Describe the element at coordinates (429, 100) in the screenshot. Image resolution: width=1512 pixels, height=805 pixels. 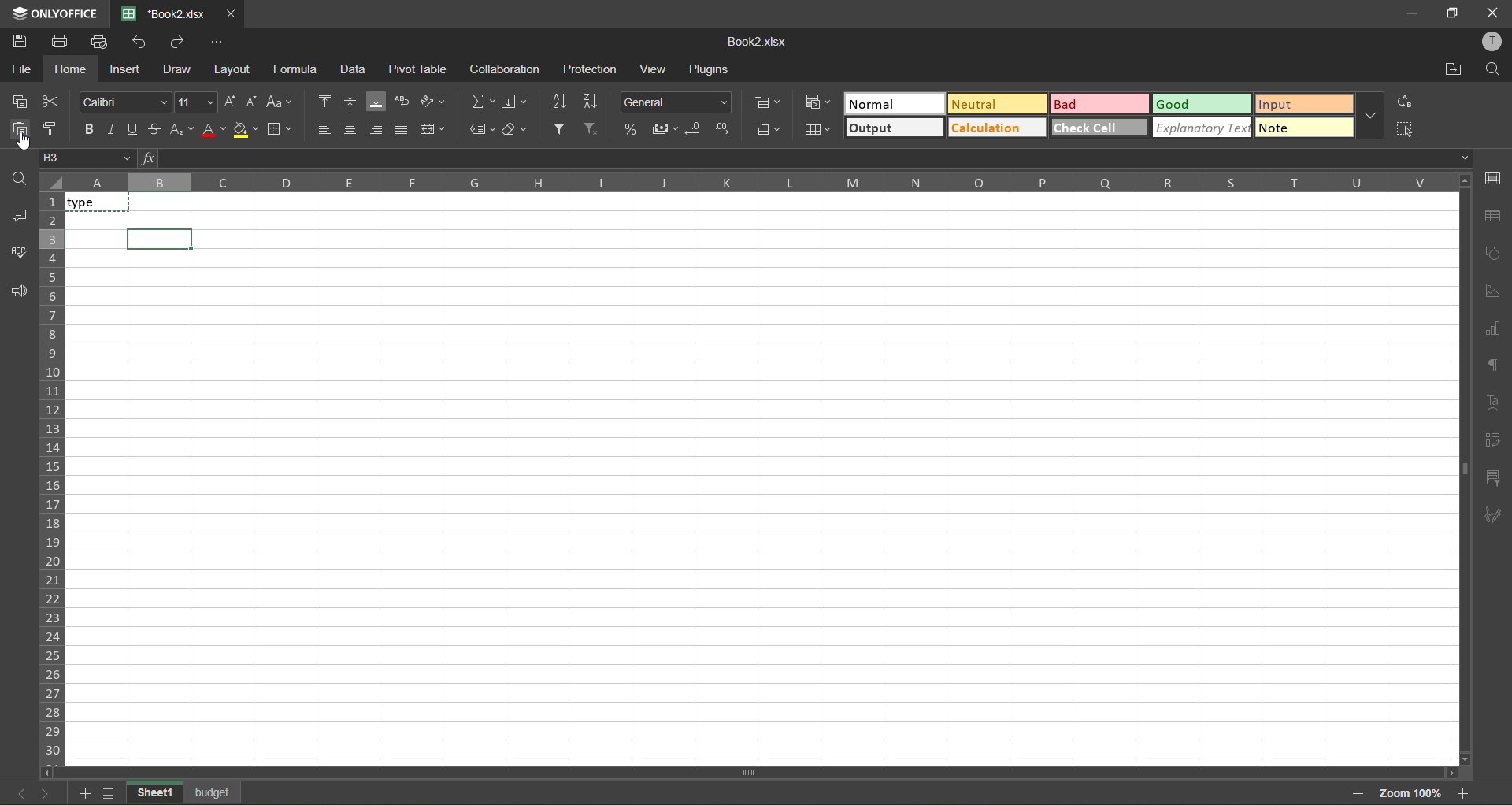
I see `orientation` at that location.